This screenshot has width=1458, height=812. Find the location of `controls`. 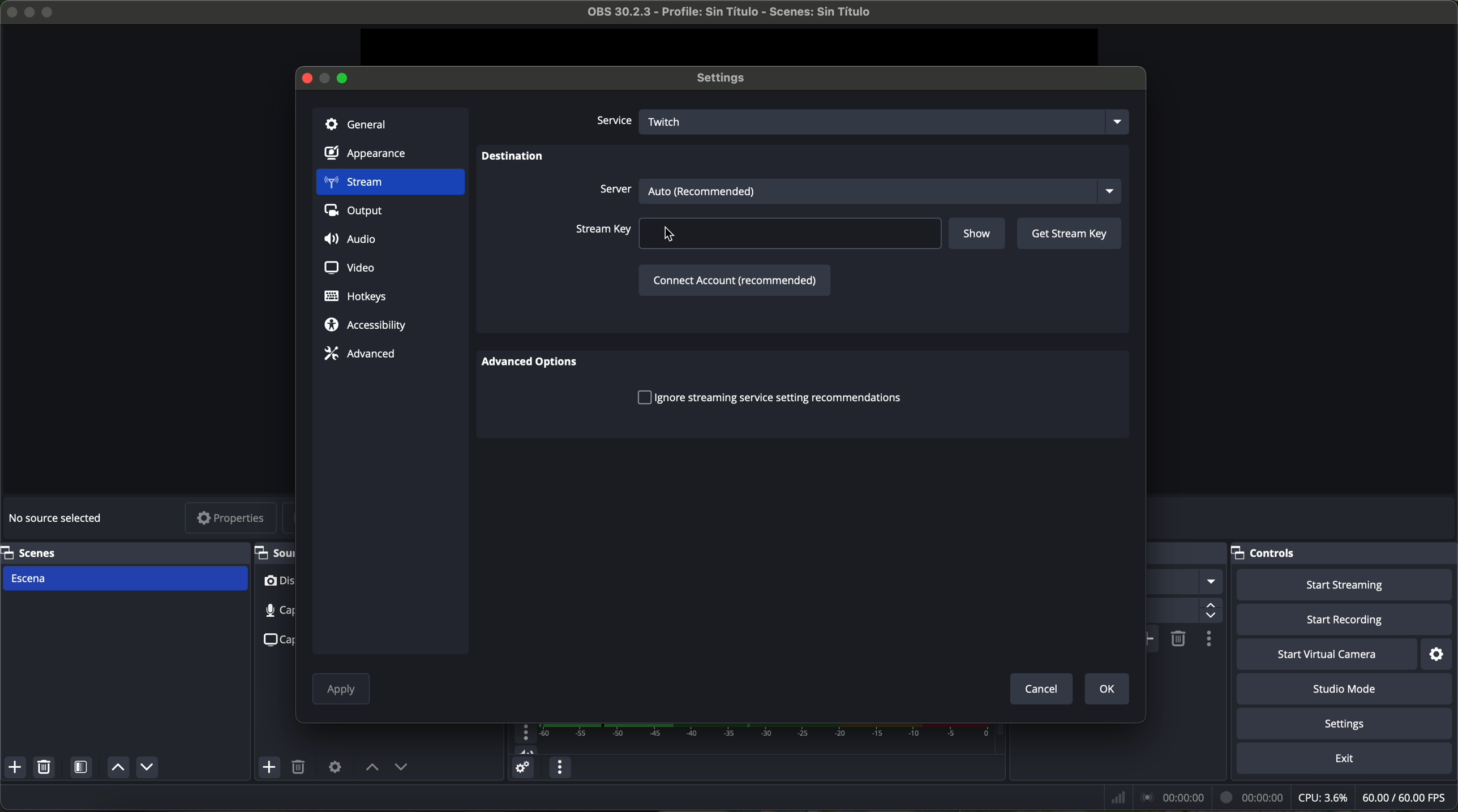

controls is located at coordinates (1344, 553).